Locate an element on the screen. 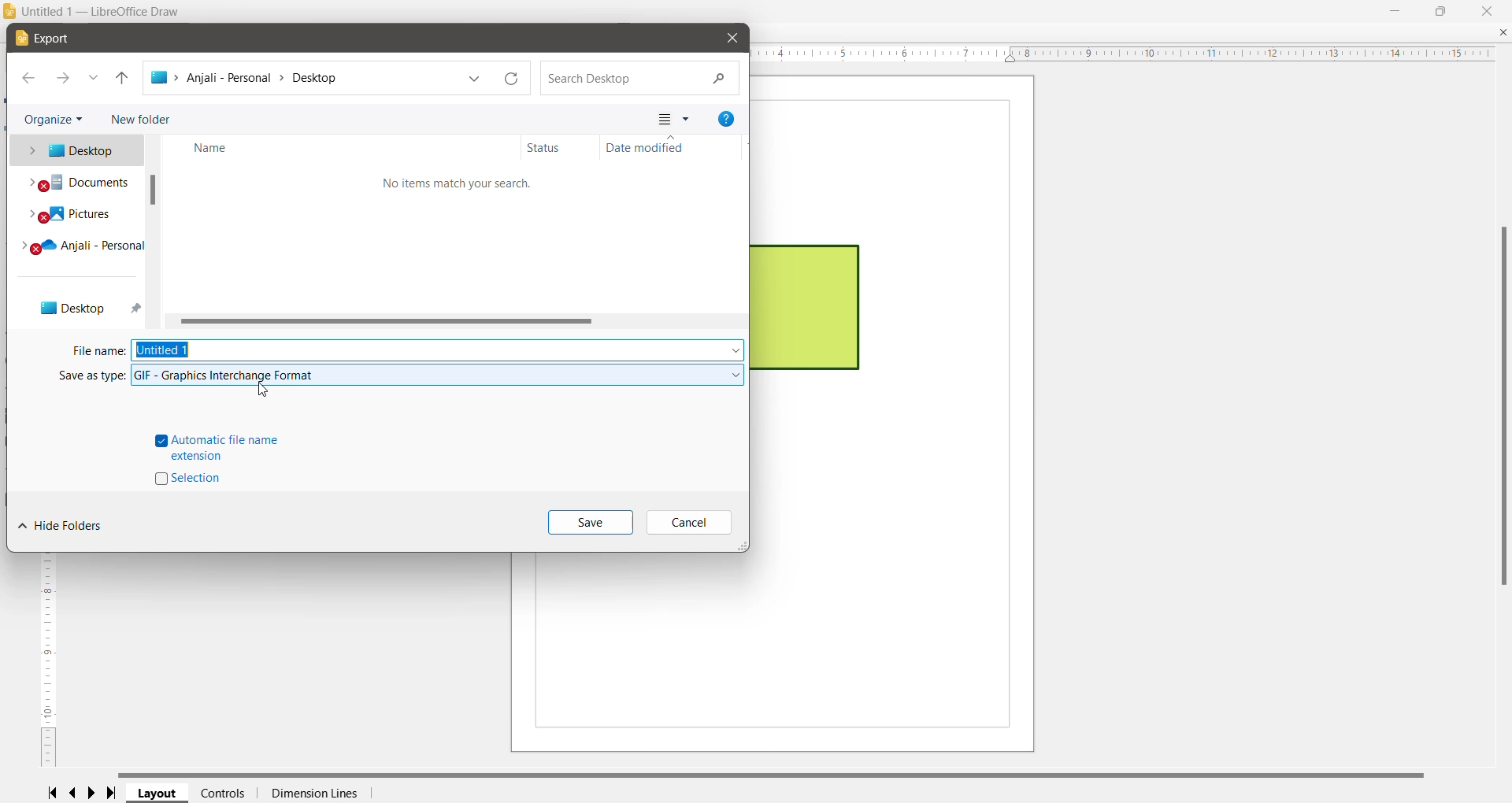 The height and width of the screenshot is (803, 1512). Selection -click to enable/disable is located at coordinates (192, 479).